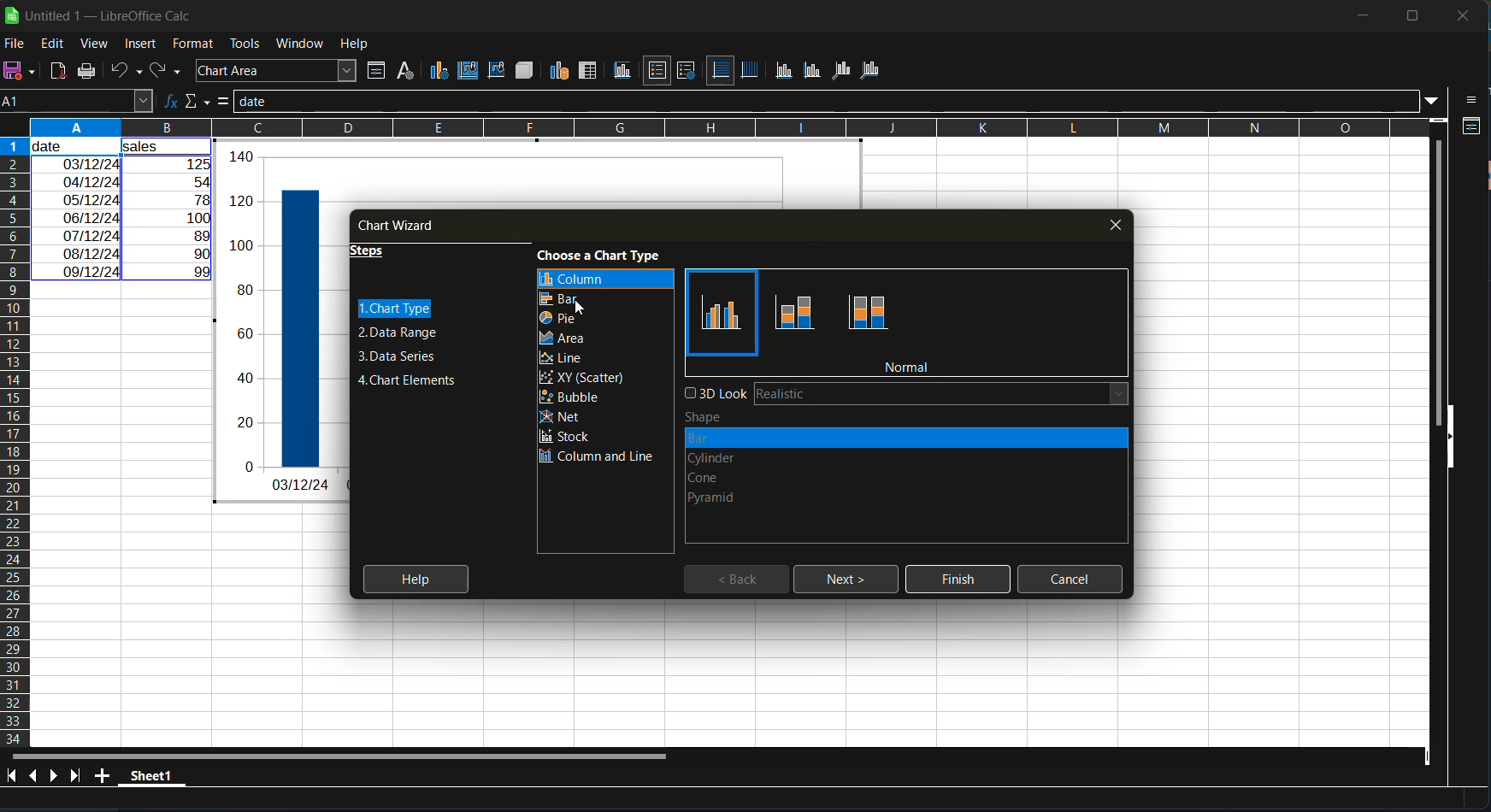 This screenshot has height=812, width=1491. Describe the element at coordinates (395, 309) in the screenshot. I see `chart type` at that location.